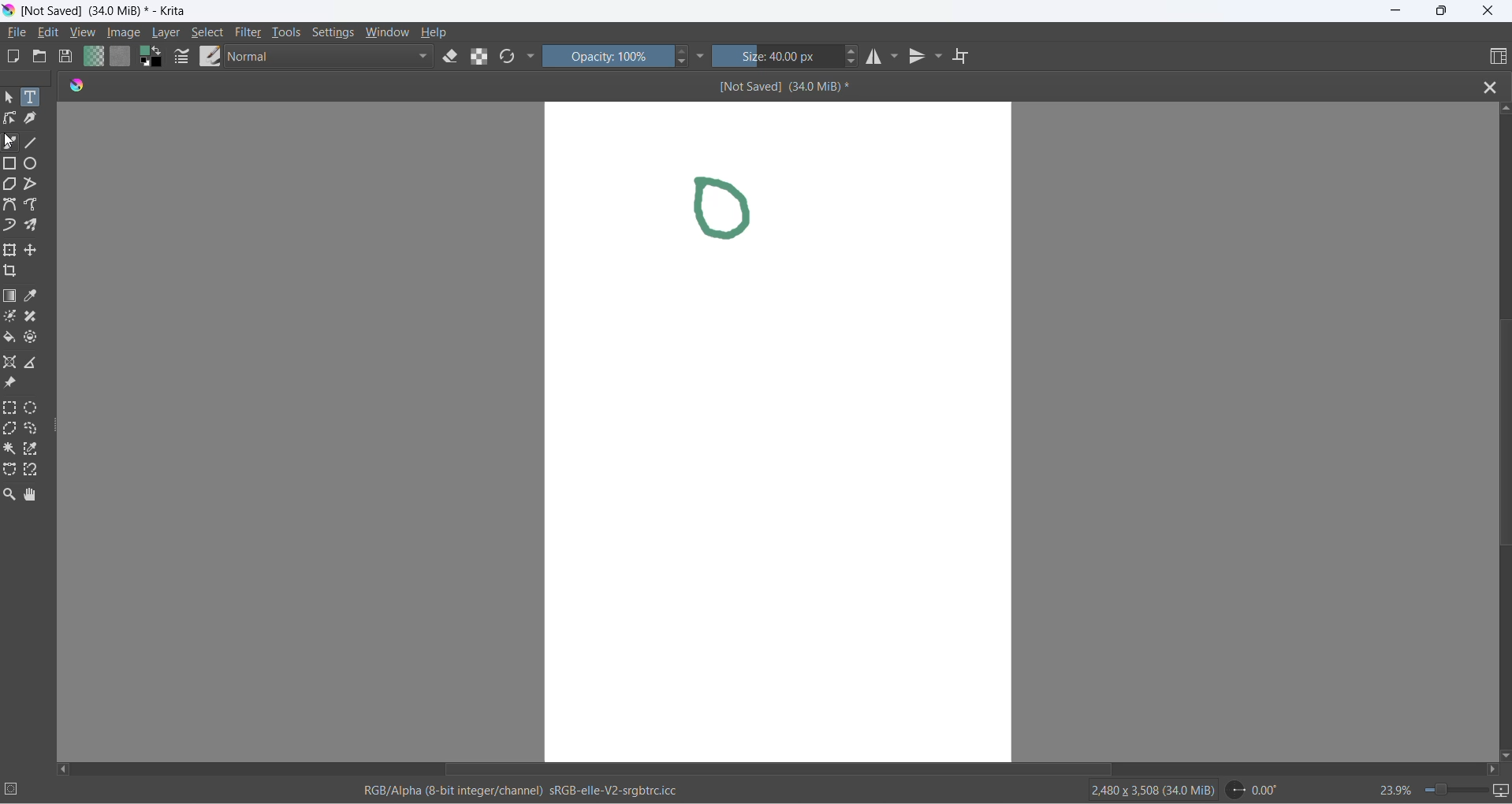 The image size is (1512, 804). I want to click on size decrease button, so click(855, 65).